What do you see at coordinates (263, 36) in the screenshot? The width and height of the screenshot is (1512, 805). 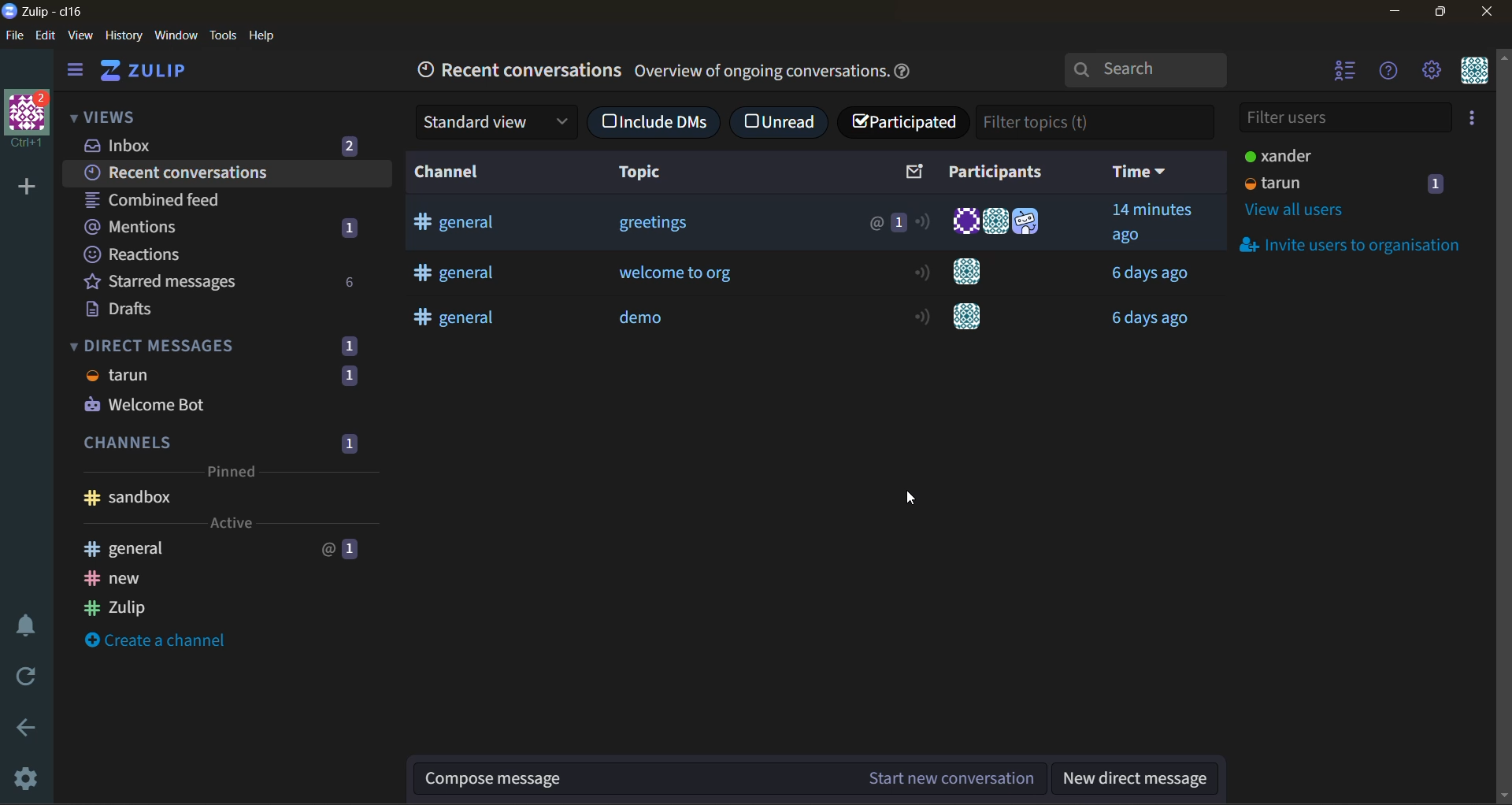 I see `help` at bounding box center [263, 36].